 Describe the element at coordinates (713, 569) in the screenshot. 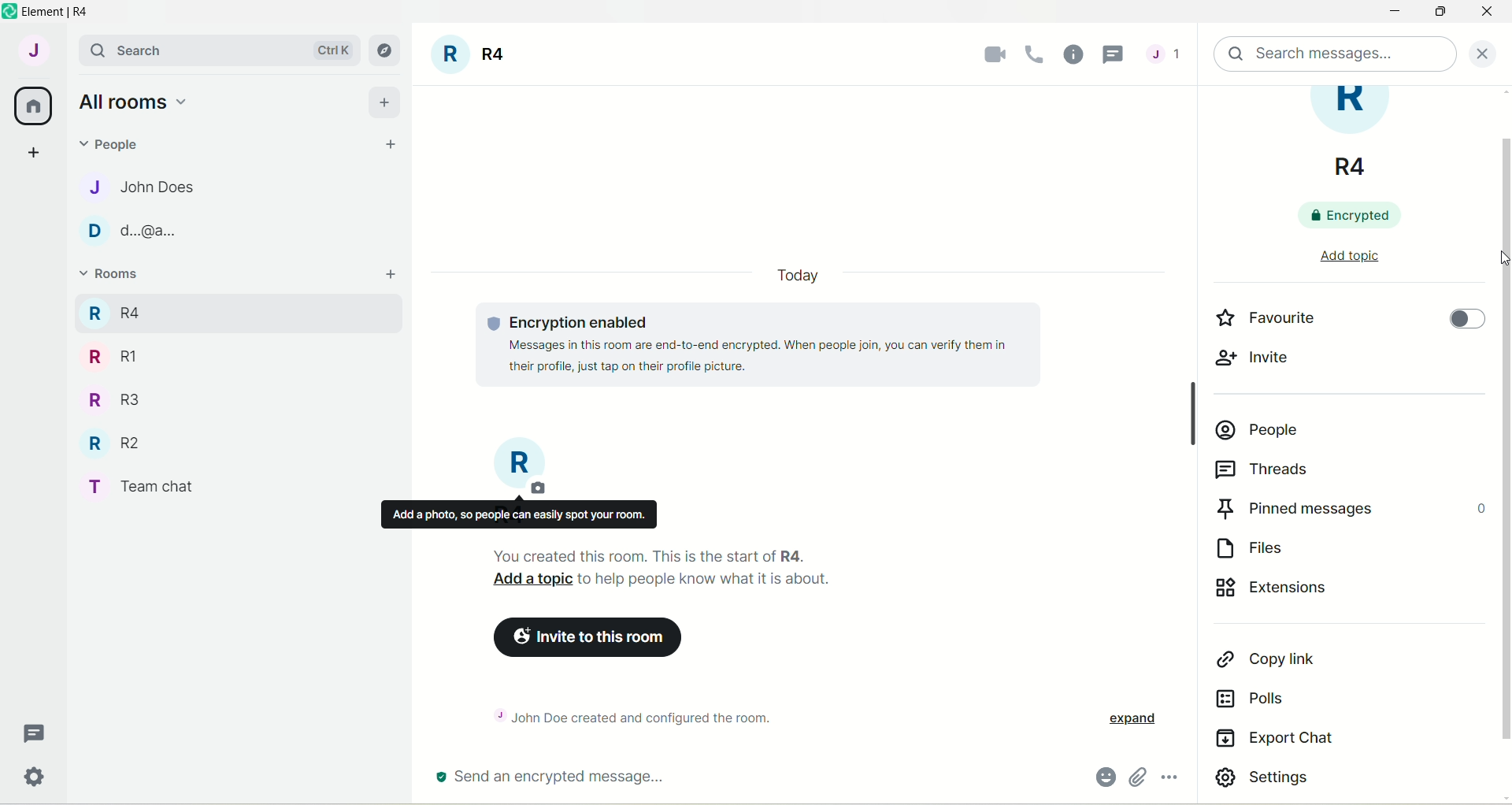

I see `You created this room. This is the start of R4.
Add a topic to help people know what it is about.` at that location.